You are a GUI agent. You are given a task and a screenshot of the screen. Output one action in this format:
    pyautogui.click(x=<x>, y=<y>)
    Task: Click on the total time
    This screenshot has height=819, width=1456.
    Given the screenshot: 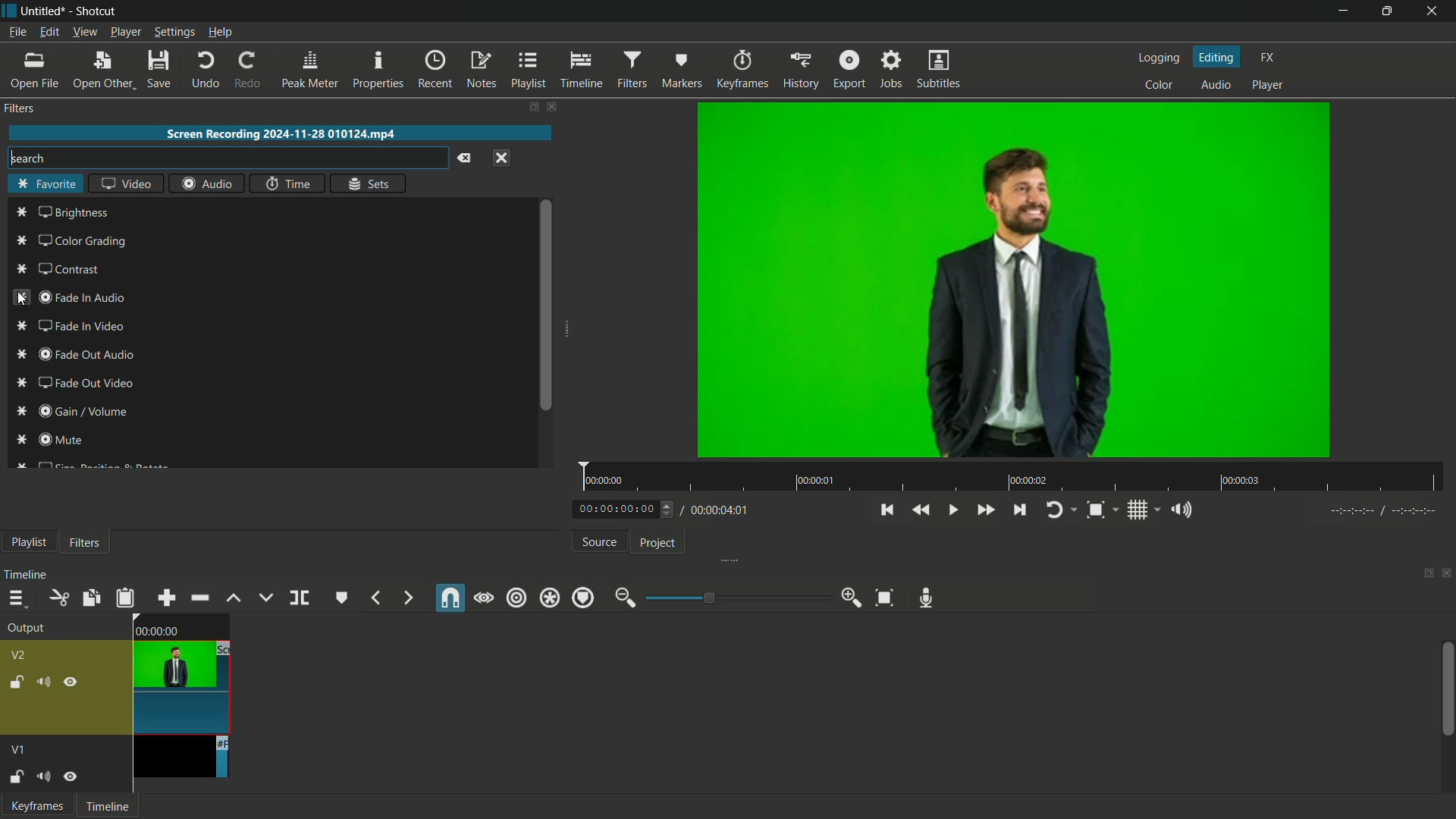 What is the action you would take?
    pyautogui.click(x=717, y=510)
    